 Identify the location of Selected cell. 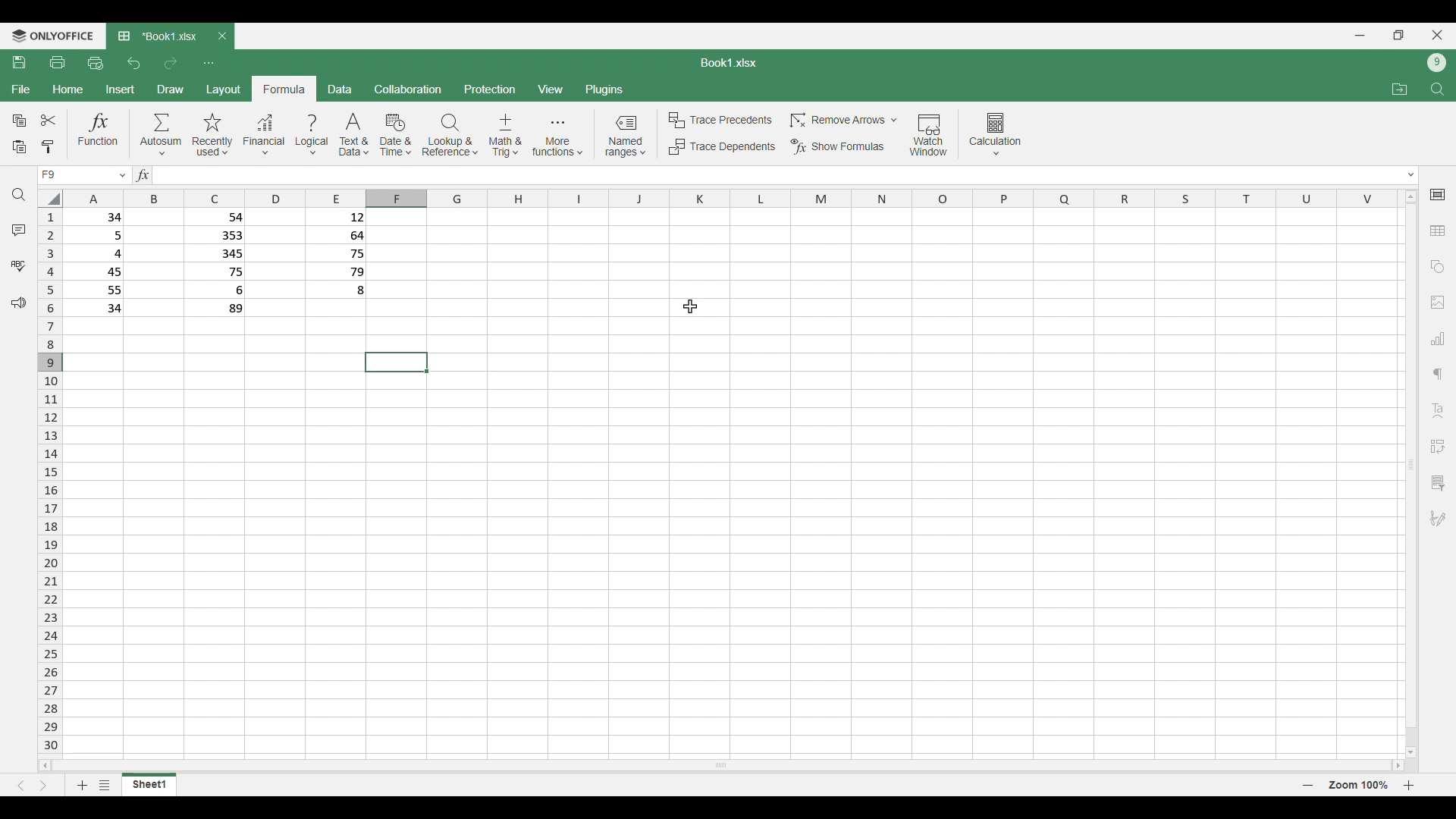
(395, 362).